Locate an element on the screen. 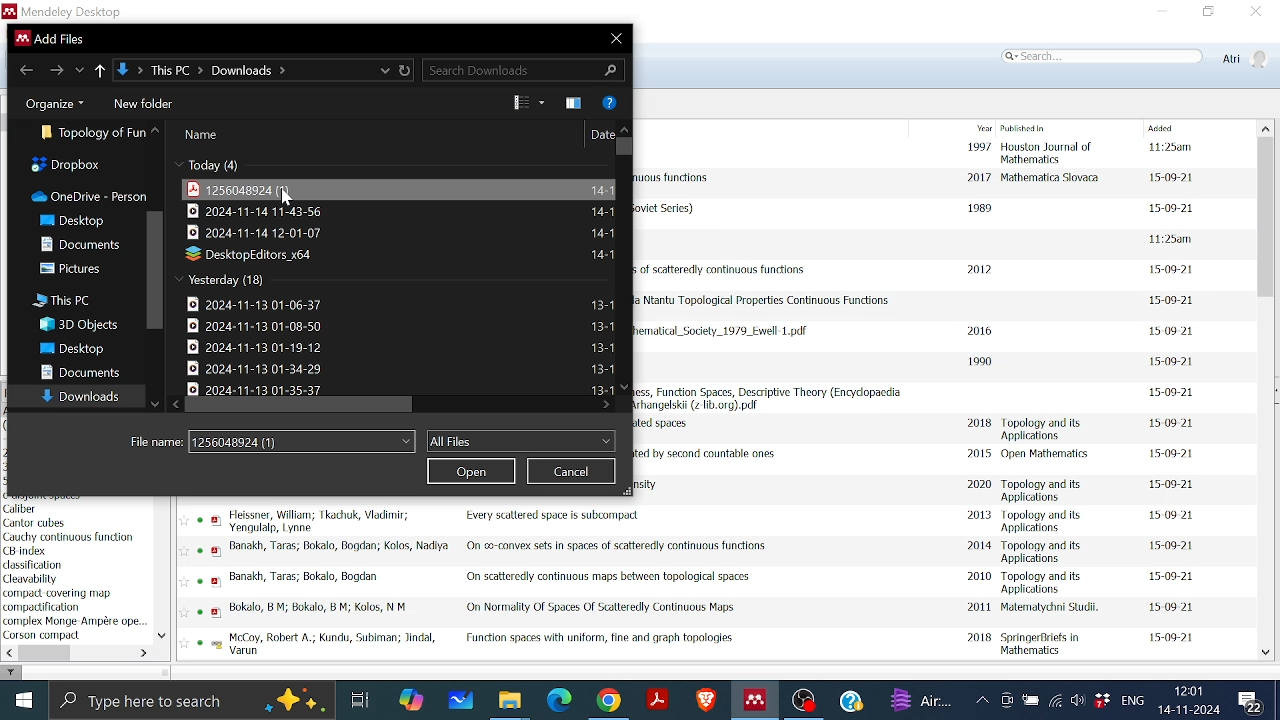 Image resolution: width=1280 pixels, height=720 pixels. File is located at coordinates (601, 304).